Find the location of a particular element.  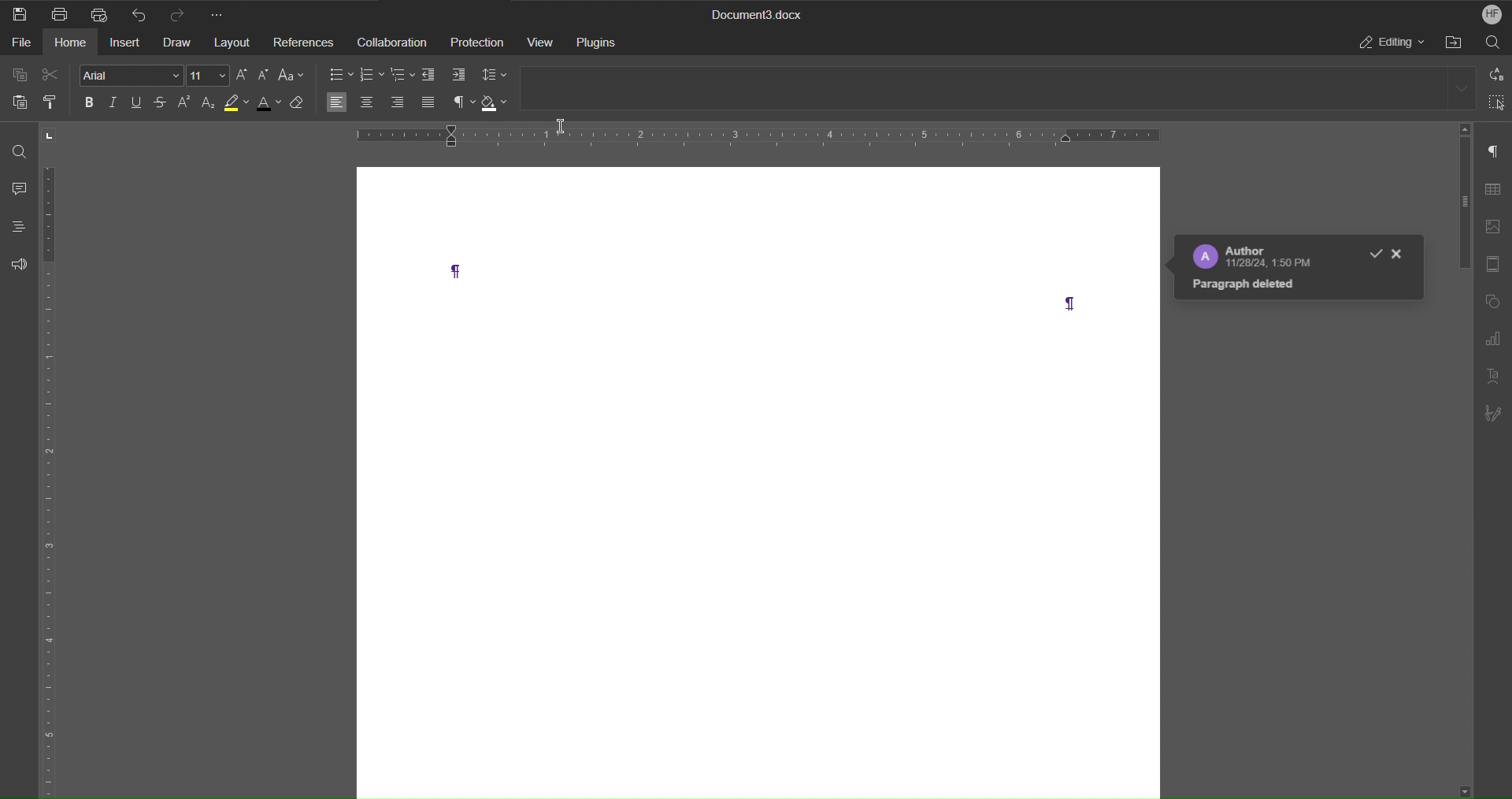

Vertical Ruler is located at coordinates (53, 479).